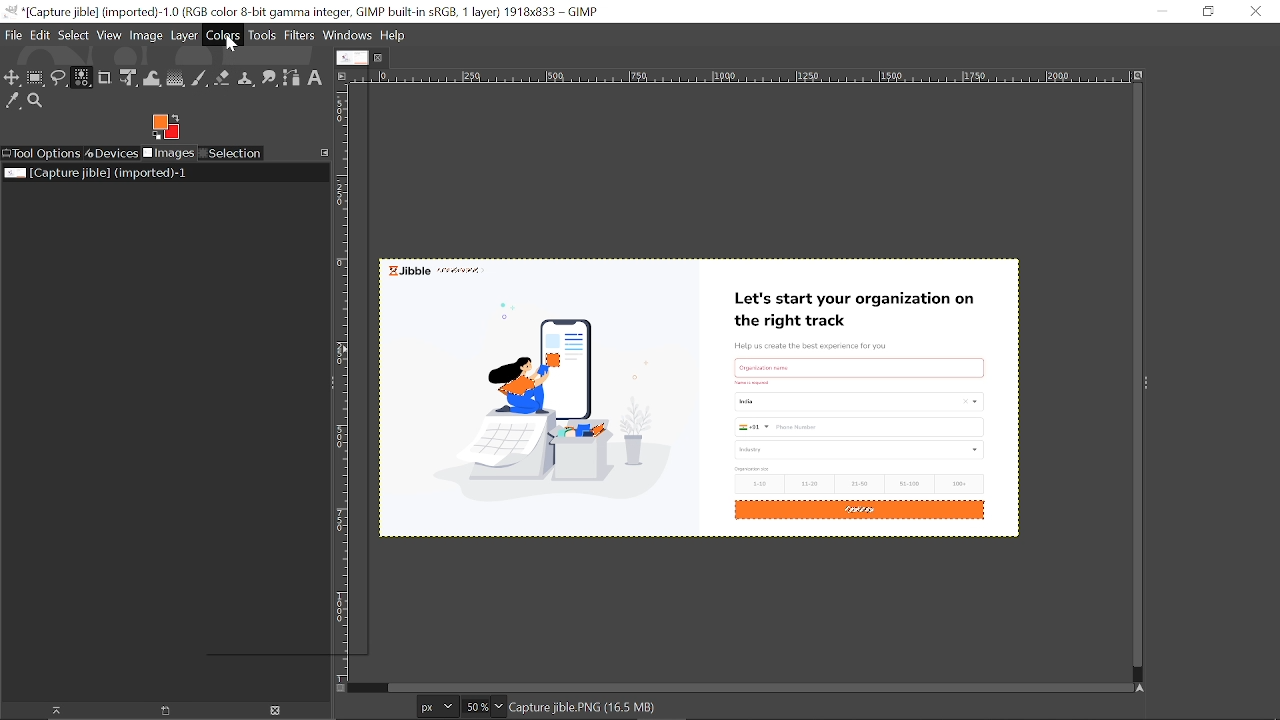 Image resolution: width=1280 pixels, height=720 pixels. I want to click on Horizontal scrollbar, so click(756, 686).